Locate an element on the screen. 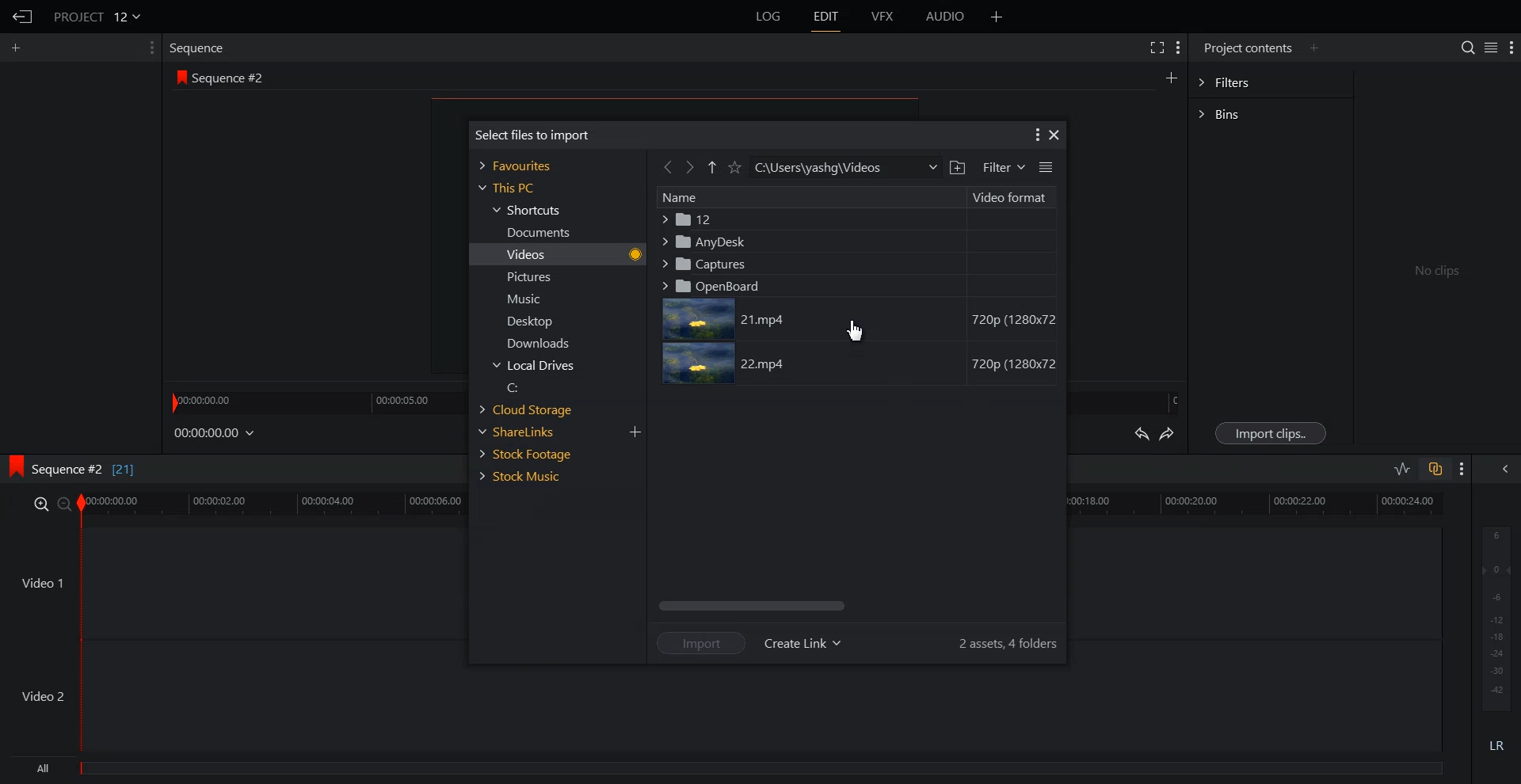 The image size is (1521, 784). Select files to import is located at coordinates (532, 133).